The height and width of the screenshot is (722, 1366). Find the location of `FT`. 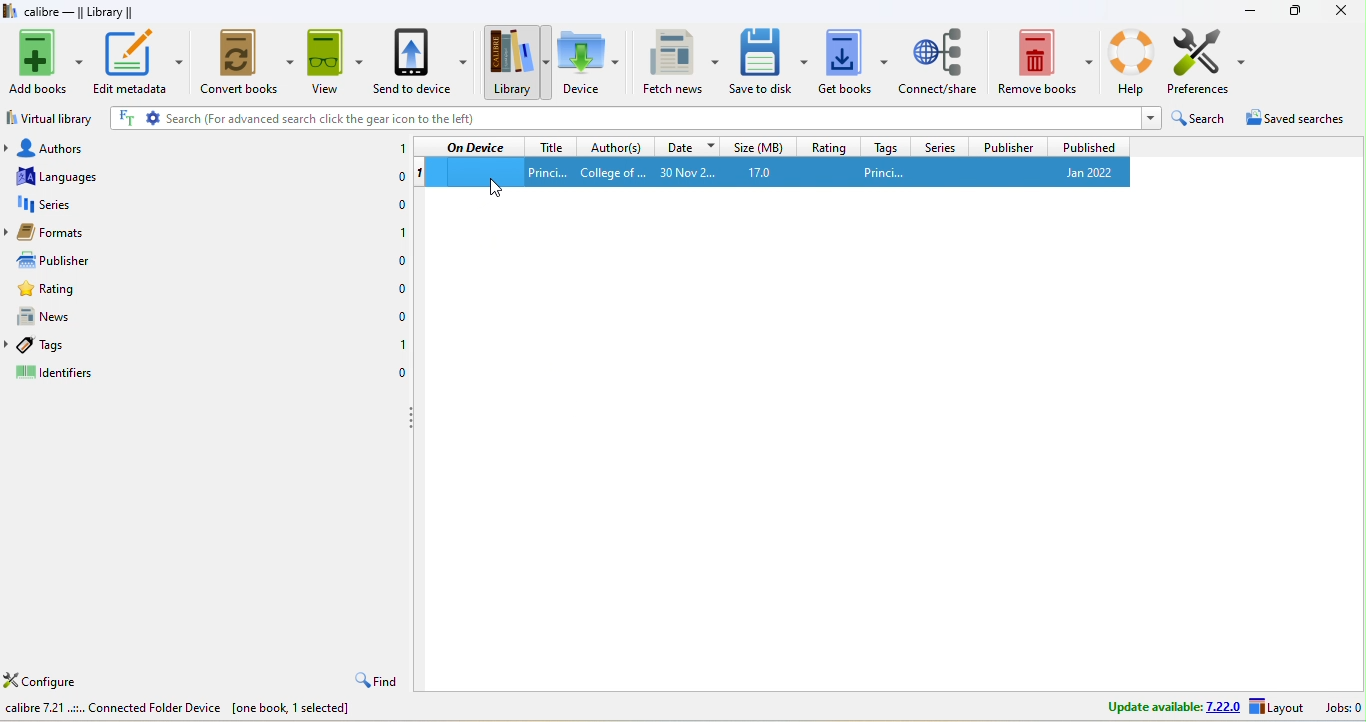

FT is located at coordinates (125, 118).